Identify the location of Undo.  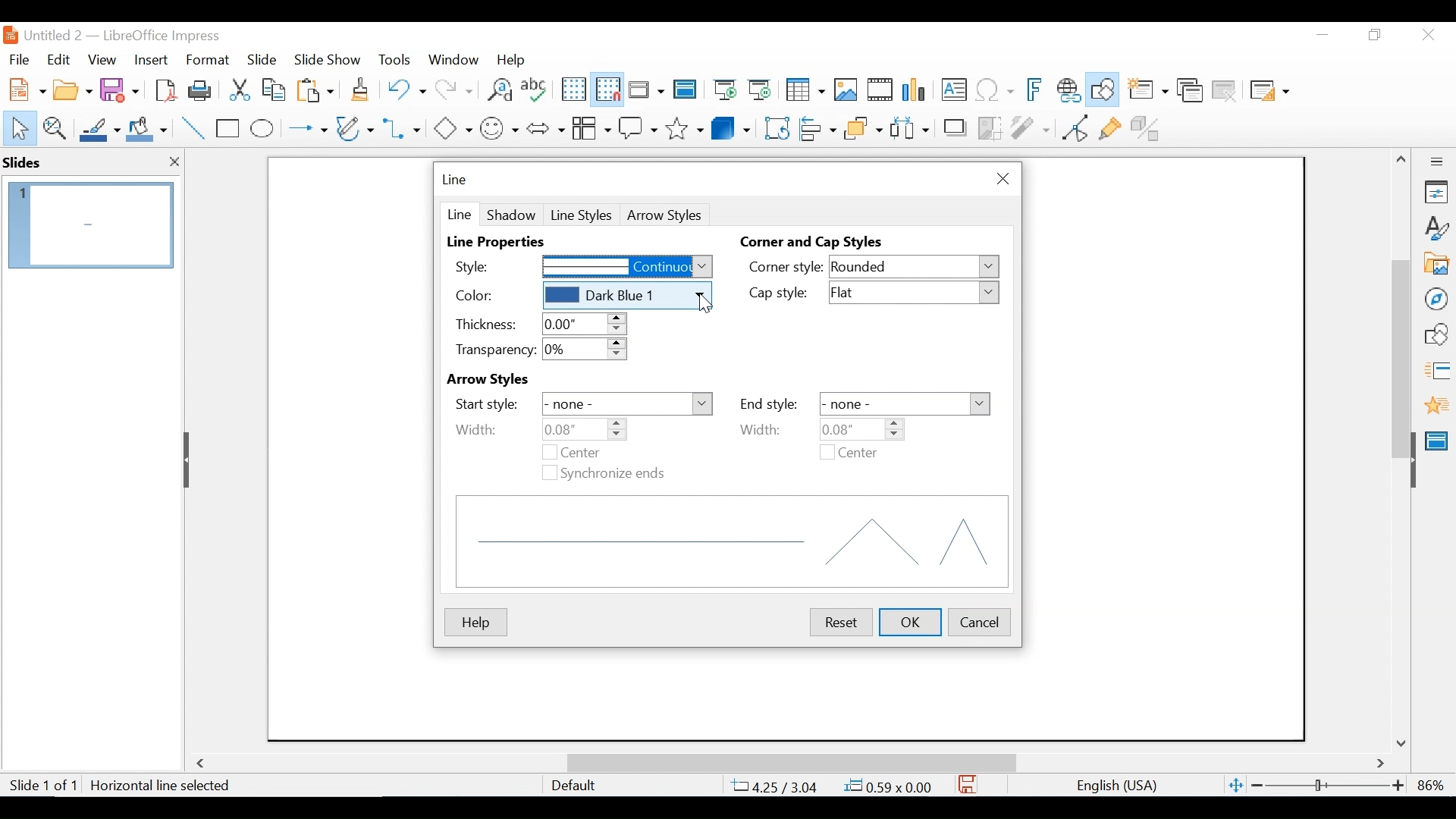
(404, 88).